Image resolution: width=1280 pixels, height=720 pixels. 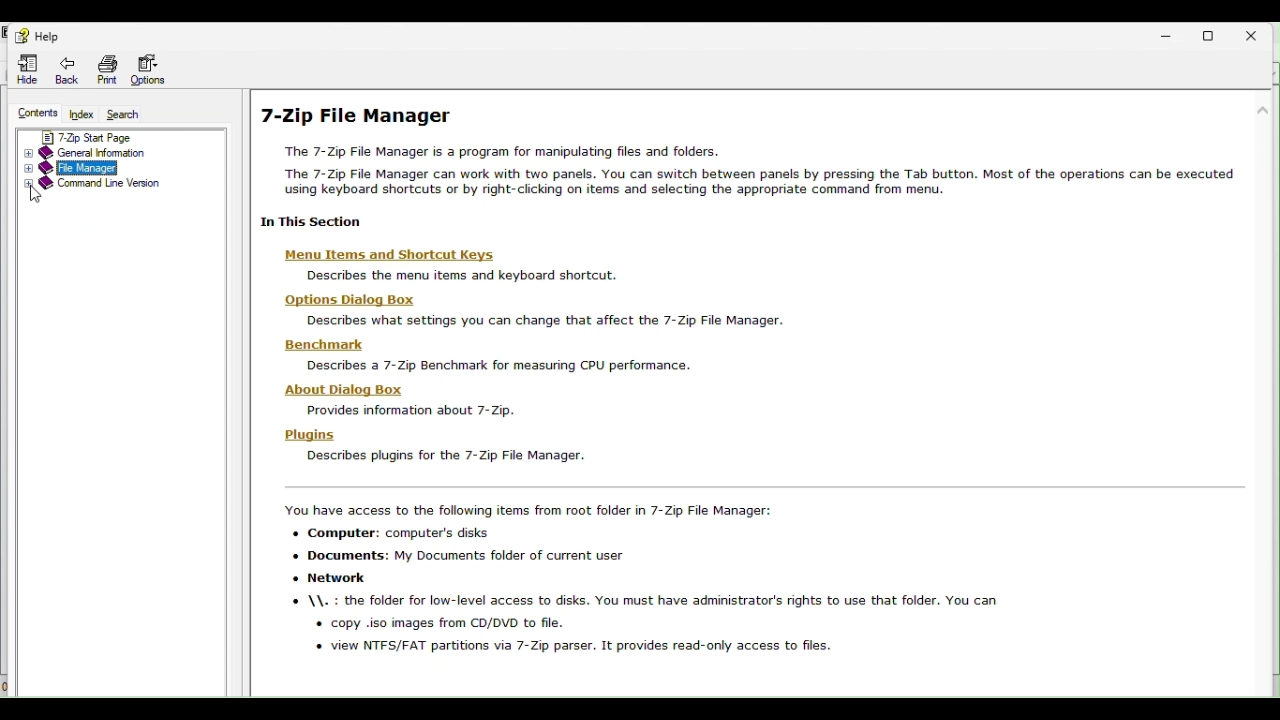 What do you see at coordinates (759, 165) in the screenshot?
I see `7 zip file manager help page` at bounding box center [759, 165].